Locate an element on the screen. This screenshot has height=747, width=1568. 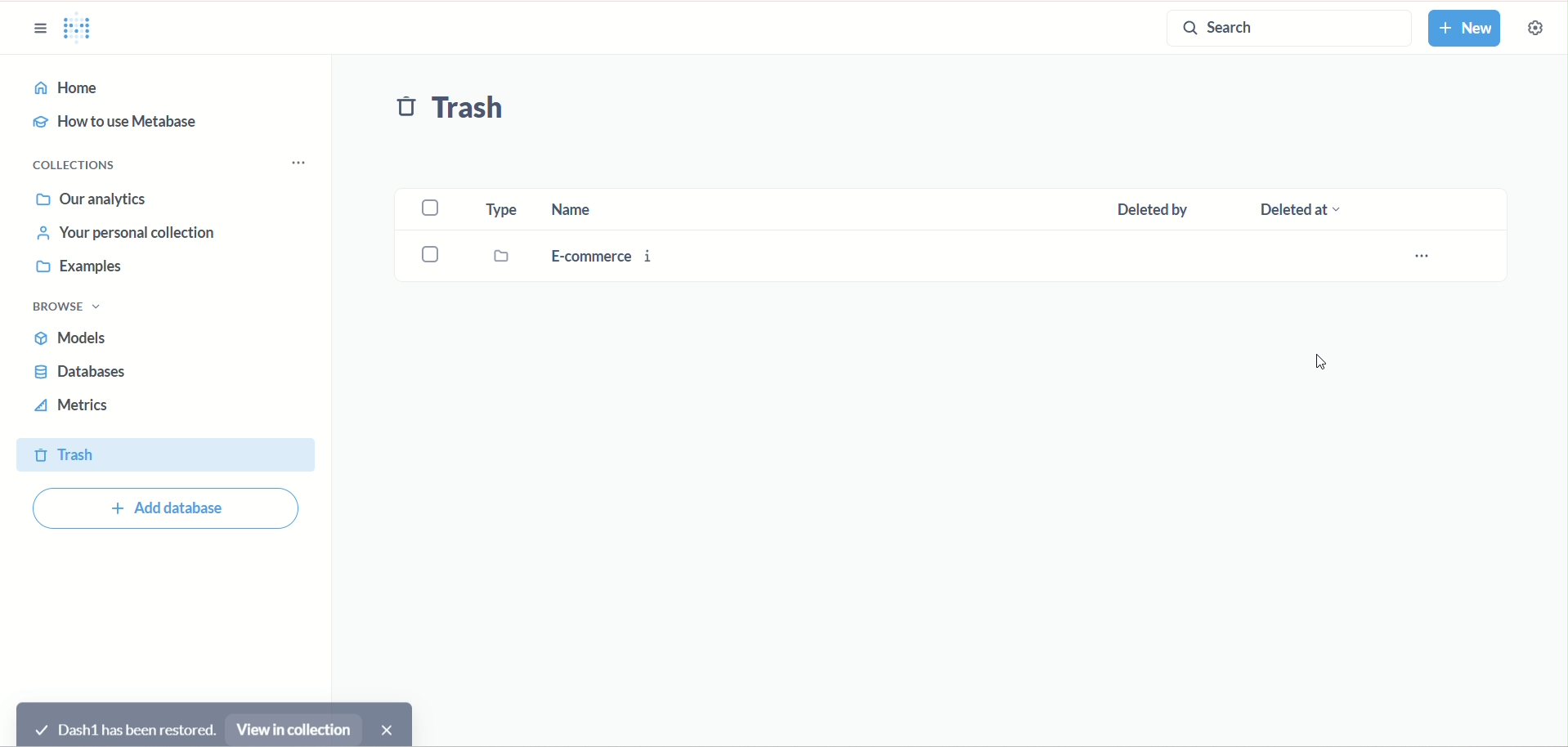
database is located at coordinates (81, 371).